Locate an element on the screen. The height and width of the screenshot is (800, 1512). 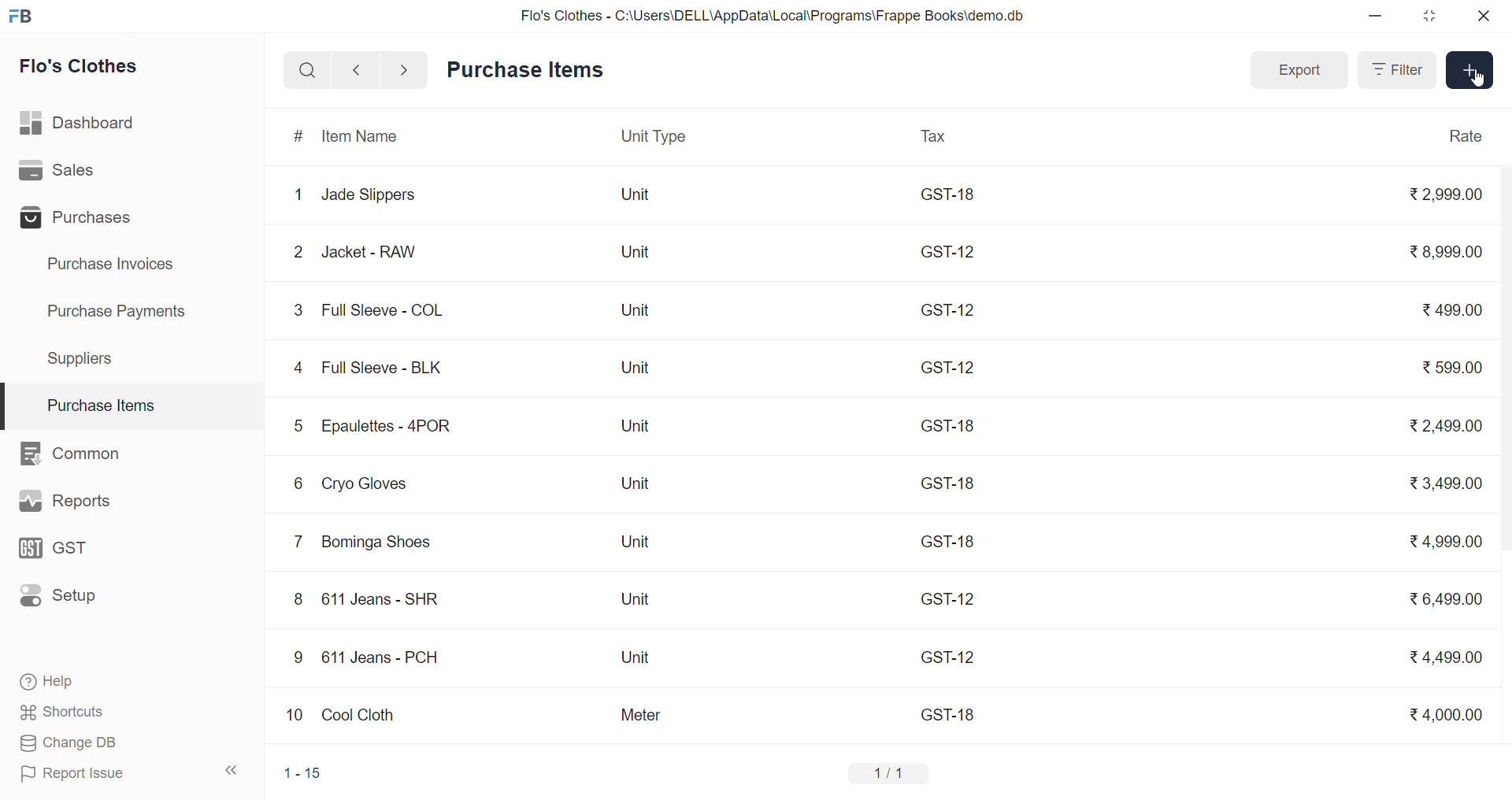
Setup is located at coordinates (69, 598).